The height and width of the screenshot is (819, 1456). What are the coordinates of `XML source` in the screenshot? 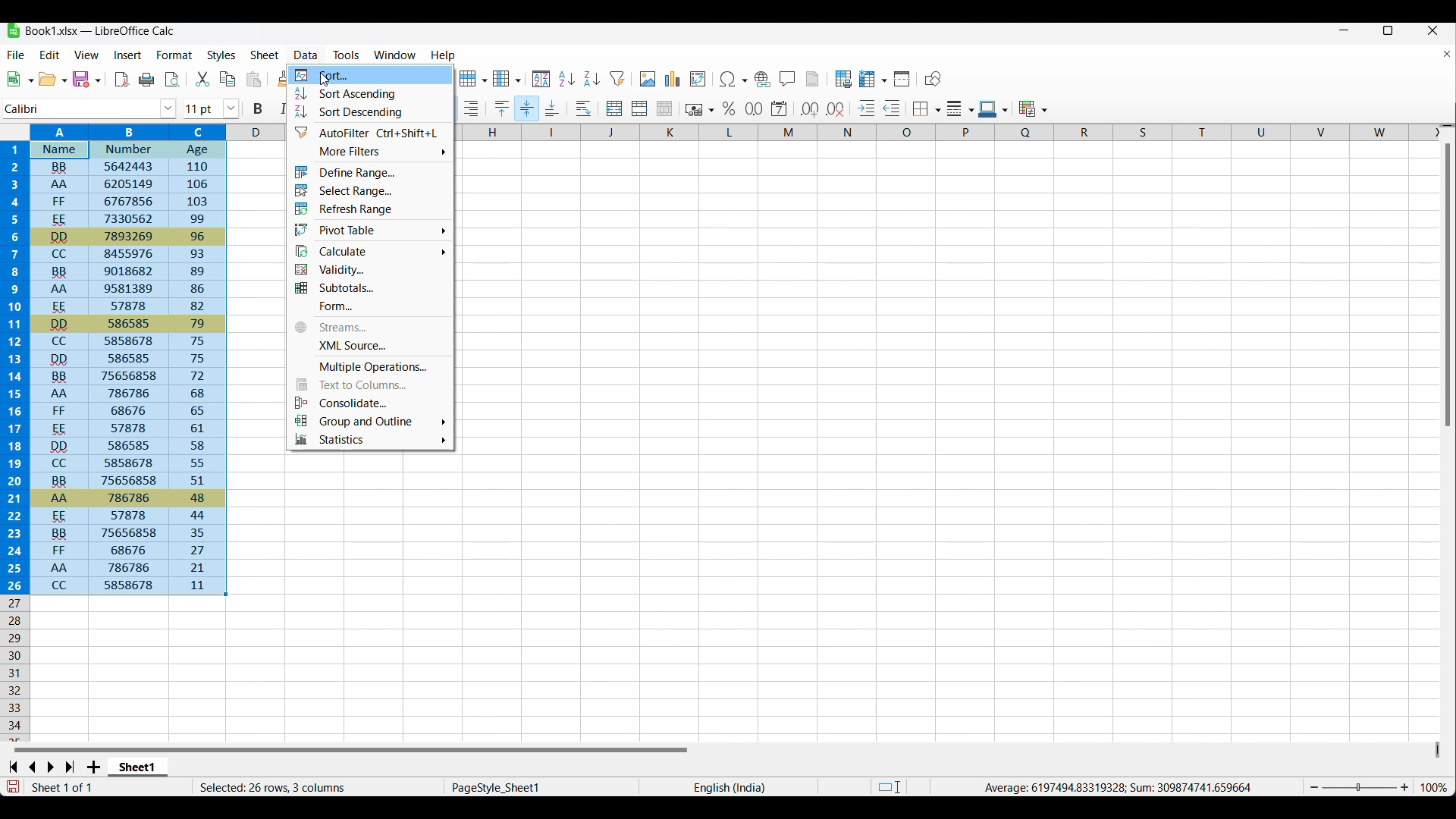 It's located at (370, 346).